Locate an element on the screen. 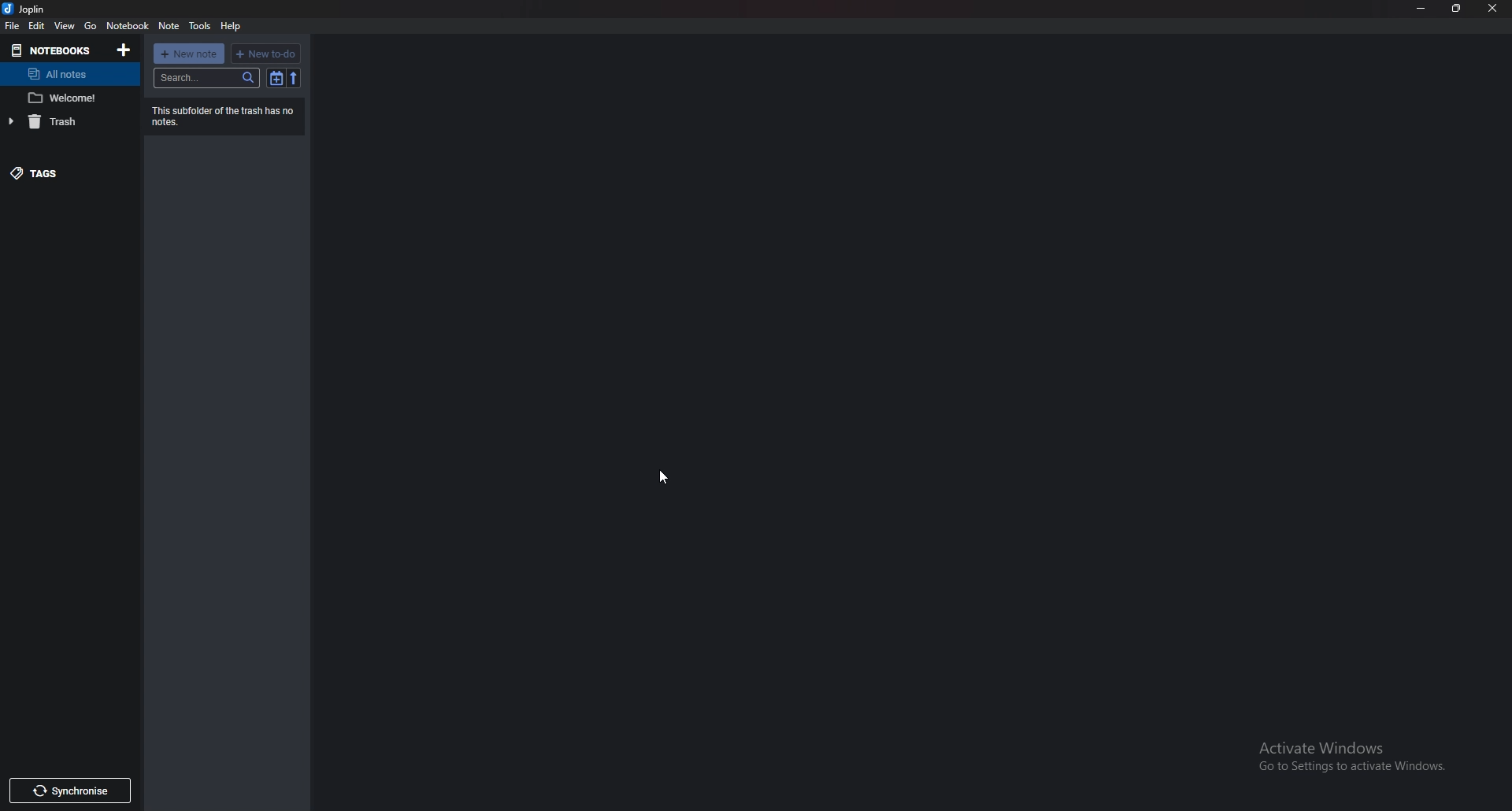  help is located at coordinates (231, 27).